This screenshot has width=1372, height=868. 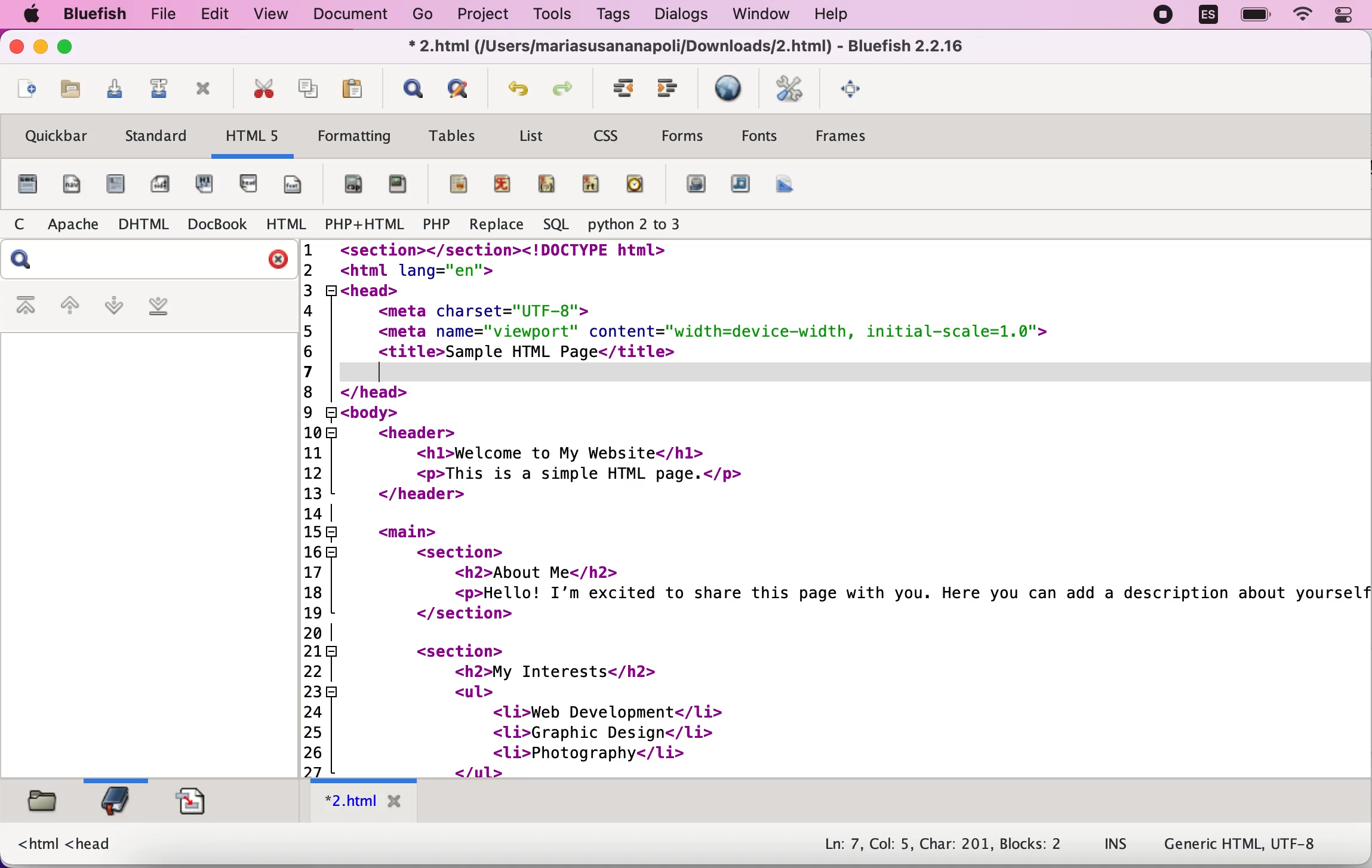 I want to click on php+html, so click(x=365, y=226).